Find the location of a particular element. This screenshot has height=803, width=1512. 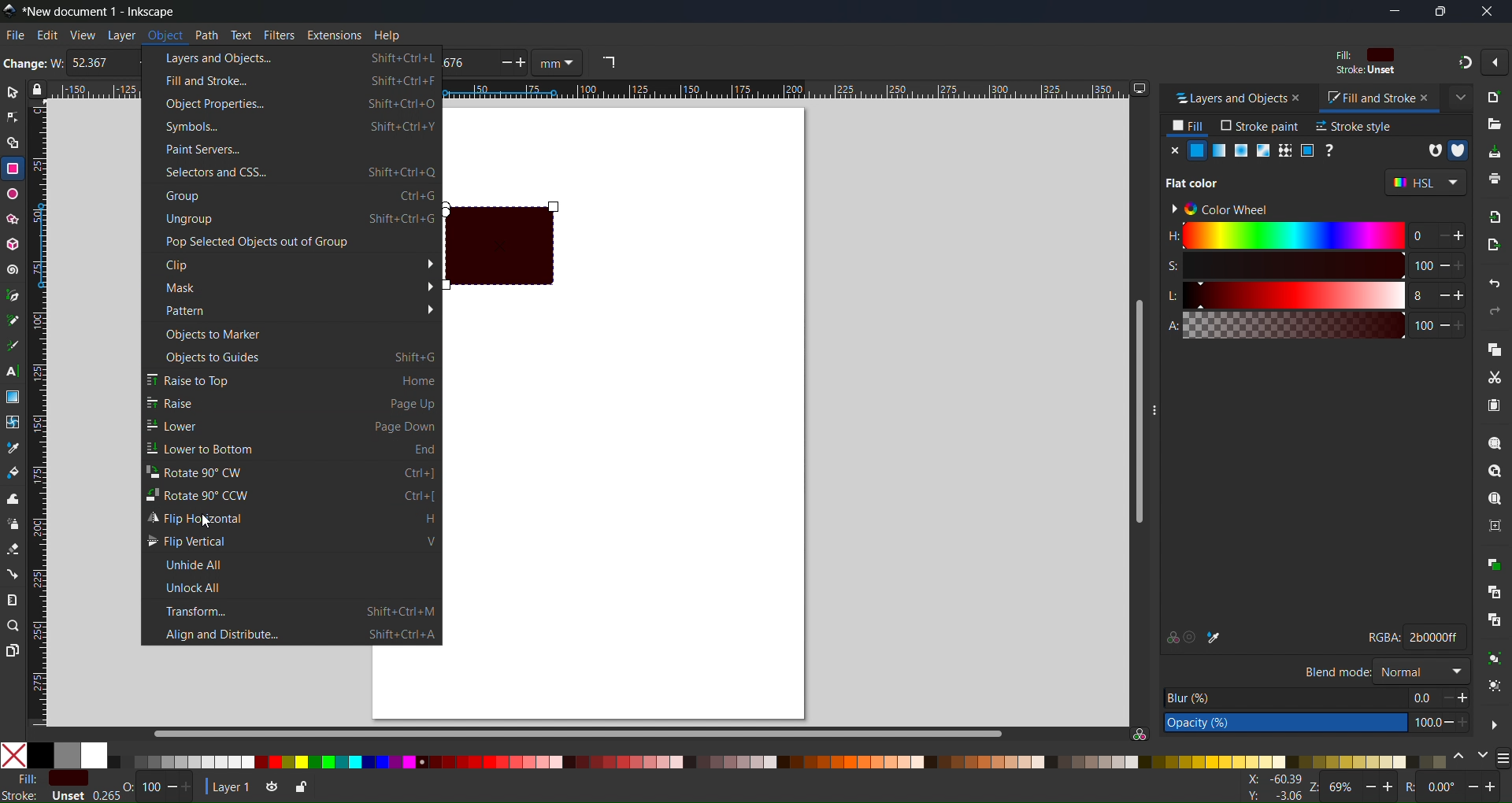

Zoom Selection is located at coordinates (1494, 443).